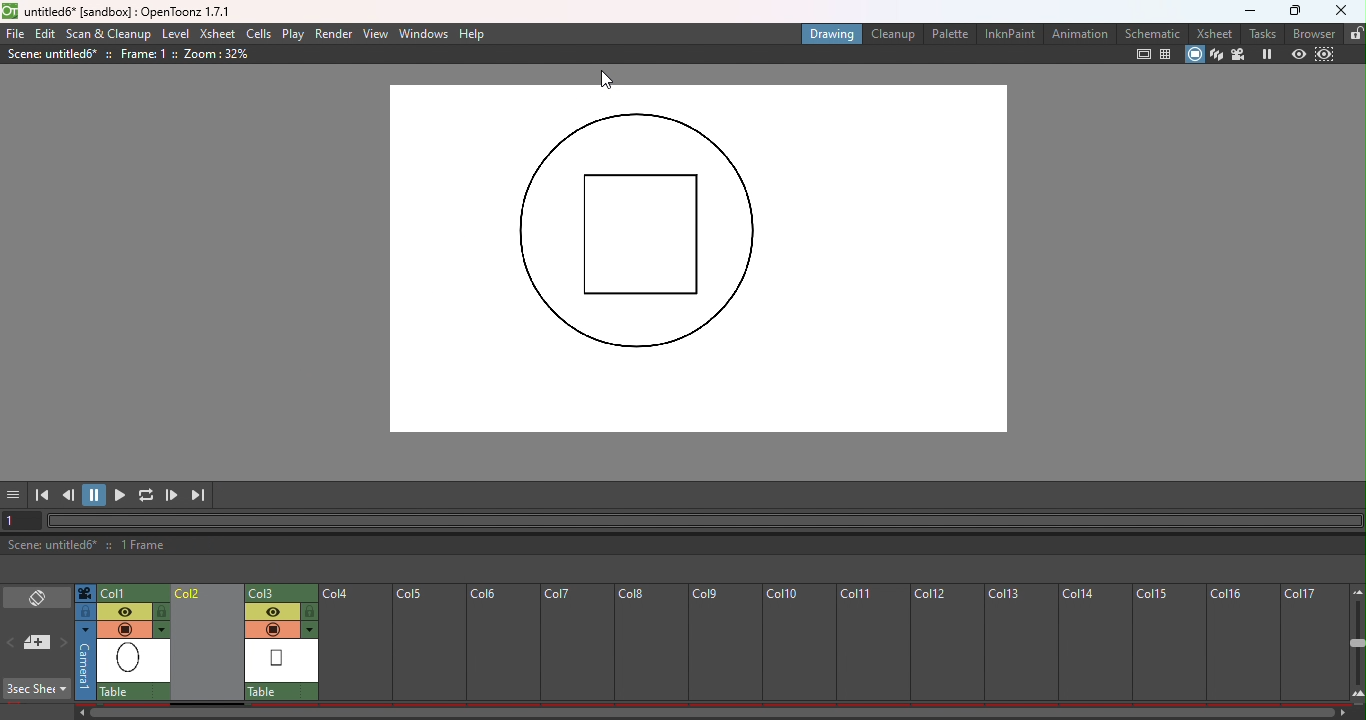 The image size is (1366, 720). I want to click on Minimize, so click(1245, 11).